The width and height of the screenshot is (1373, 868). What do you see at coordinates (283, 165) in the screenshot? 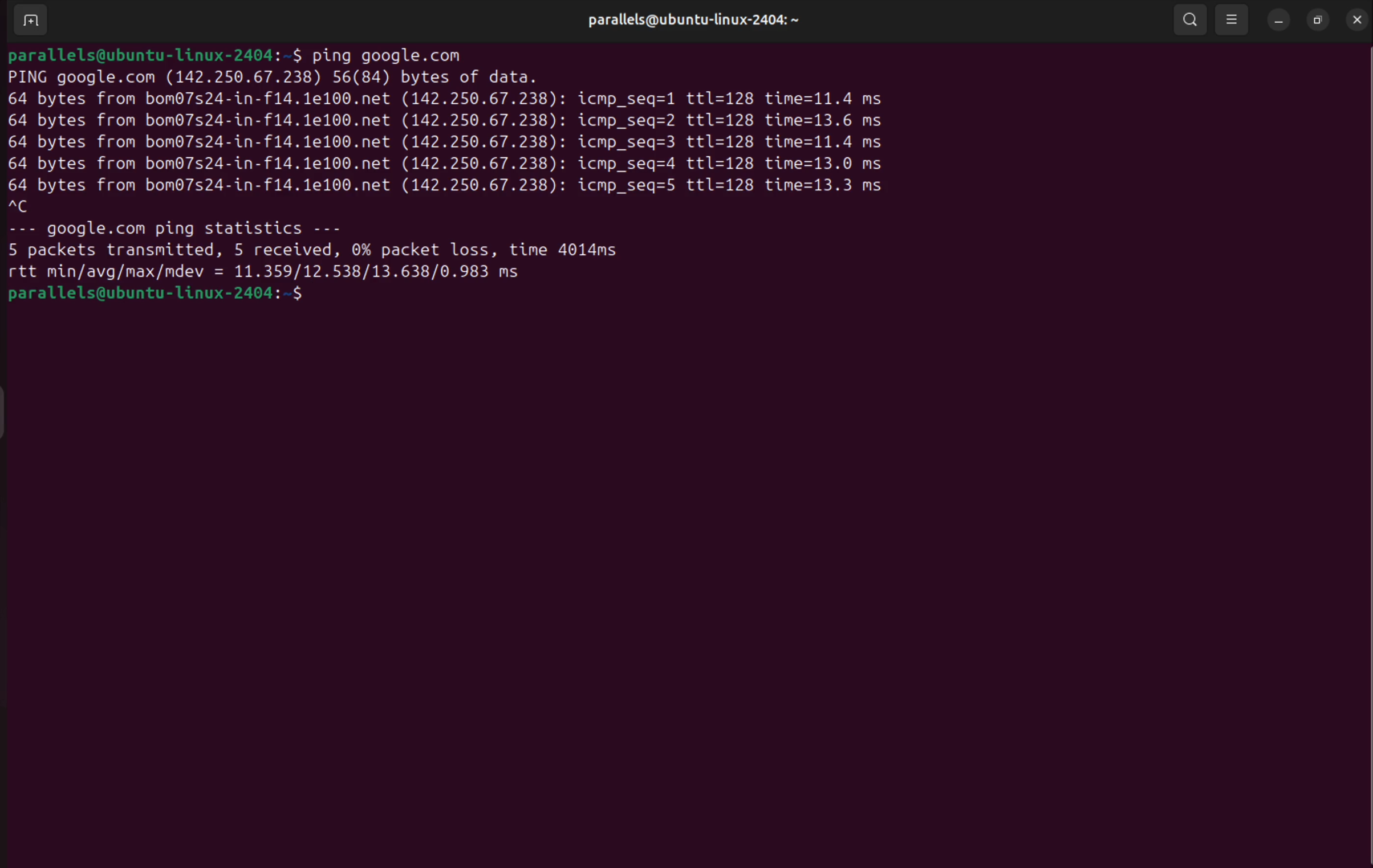
I see `64 bytes from bom poert .net` at bounding box center [283, 165].